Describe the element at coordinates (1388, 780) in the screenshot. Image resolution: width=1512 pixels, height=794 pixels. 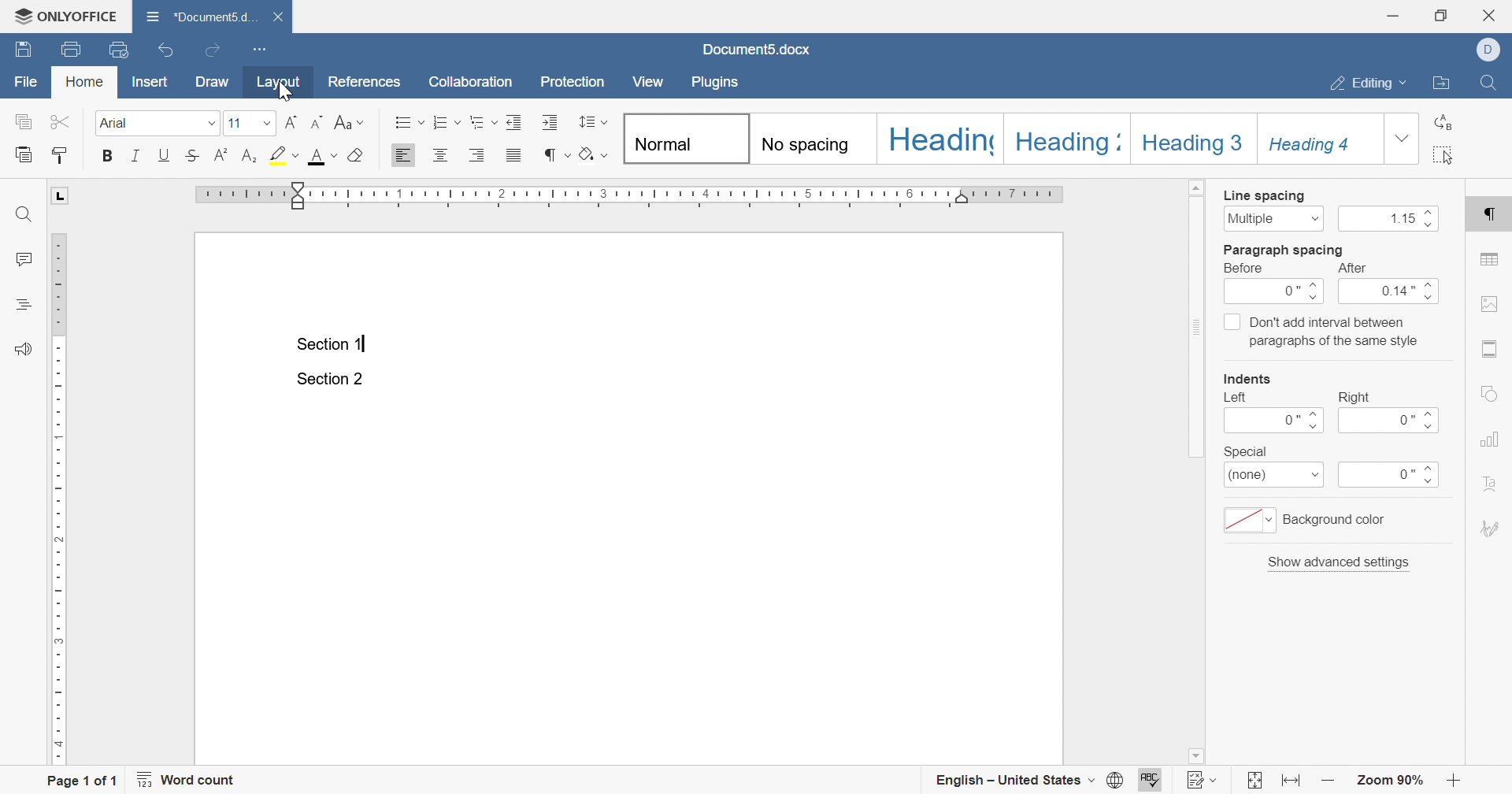
I see `zoom 90%` at that location.